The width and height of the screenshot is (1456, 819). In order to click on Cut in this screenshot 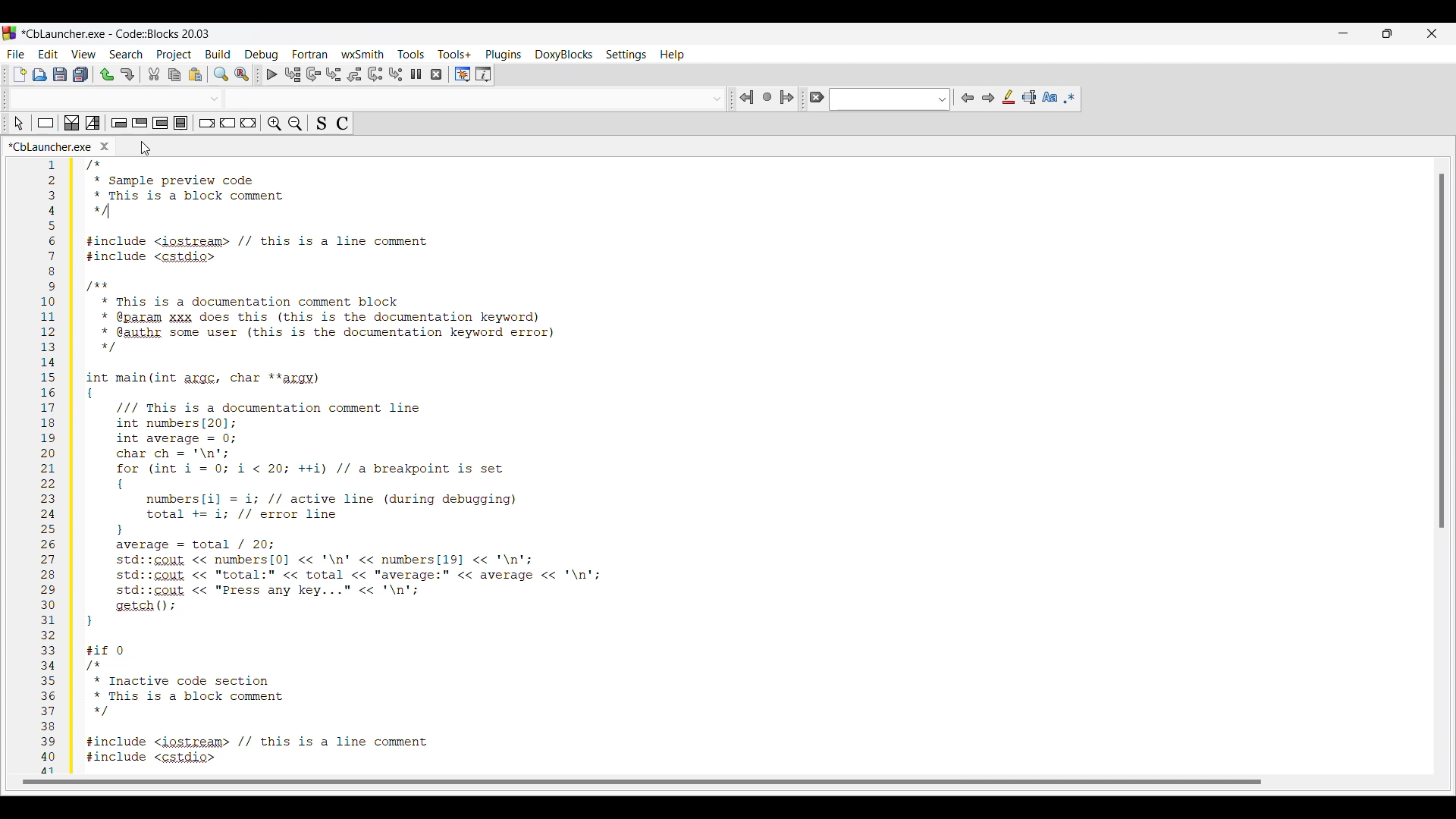, I will do `click(154, 74)`.